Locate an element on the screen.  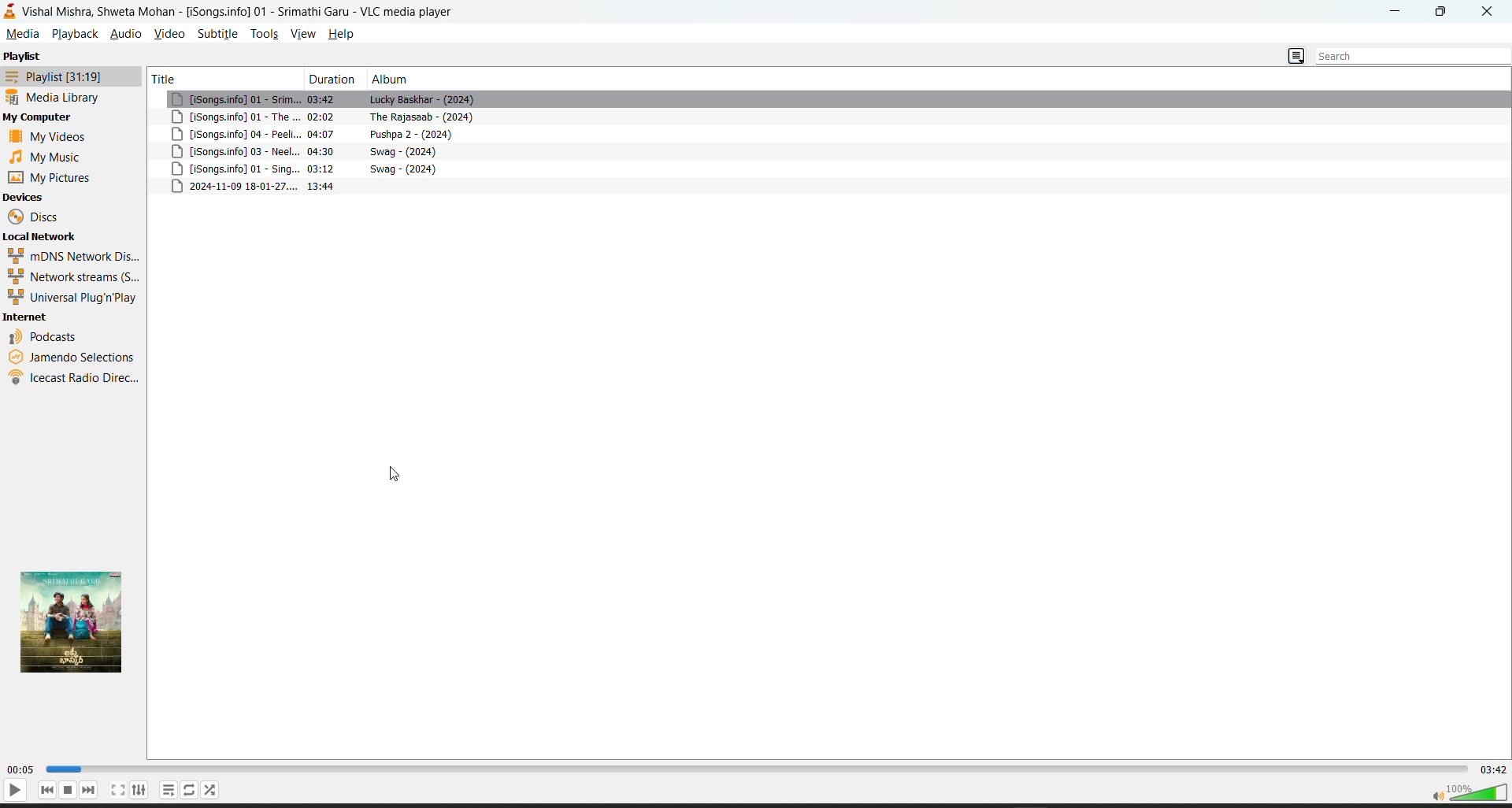
vlc media player logo is located at coordinates (9, 10).